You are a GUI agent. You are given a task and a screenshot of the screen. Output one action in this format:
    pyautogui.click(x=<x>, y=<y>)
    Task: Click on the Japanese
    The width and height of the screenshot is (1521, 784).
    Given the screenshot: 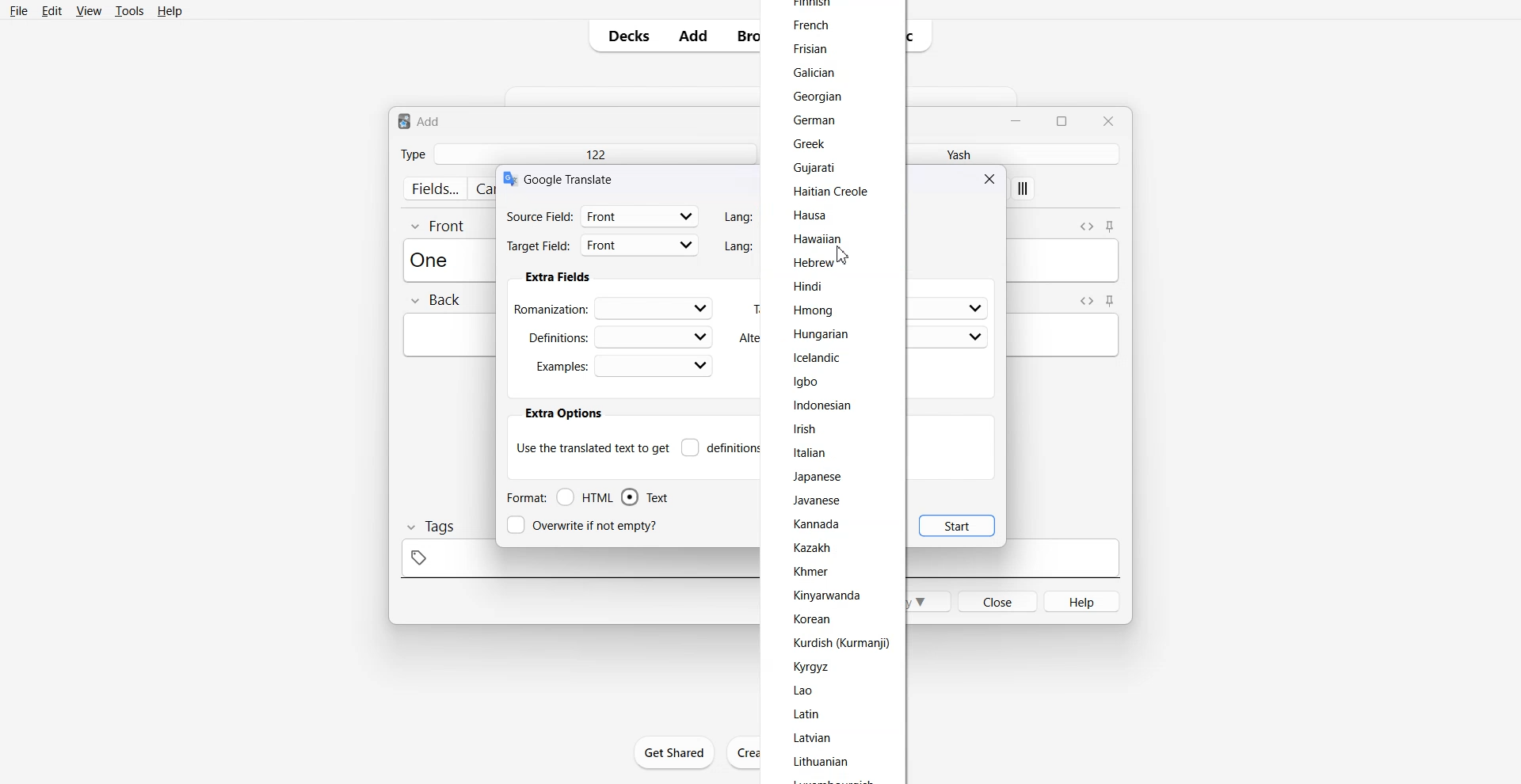 What is the action you would take?
    pyautogui.click(x=818, y=477)
    